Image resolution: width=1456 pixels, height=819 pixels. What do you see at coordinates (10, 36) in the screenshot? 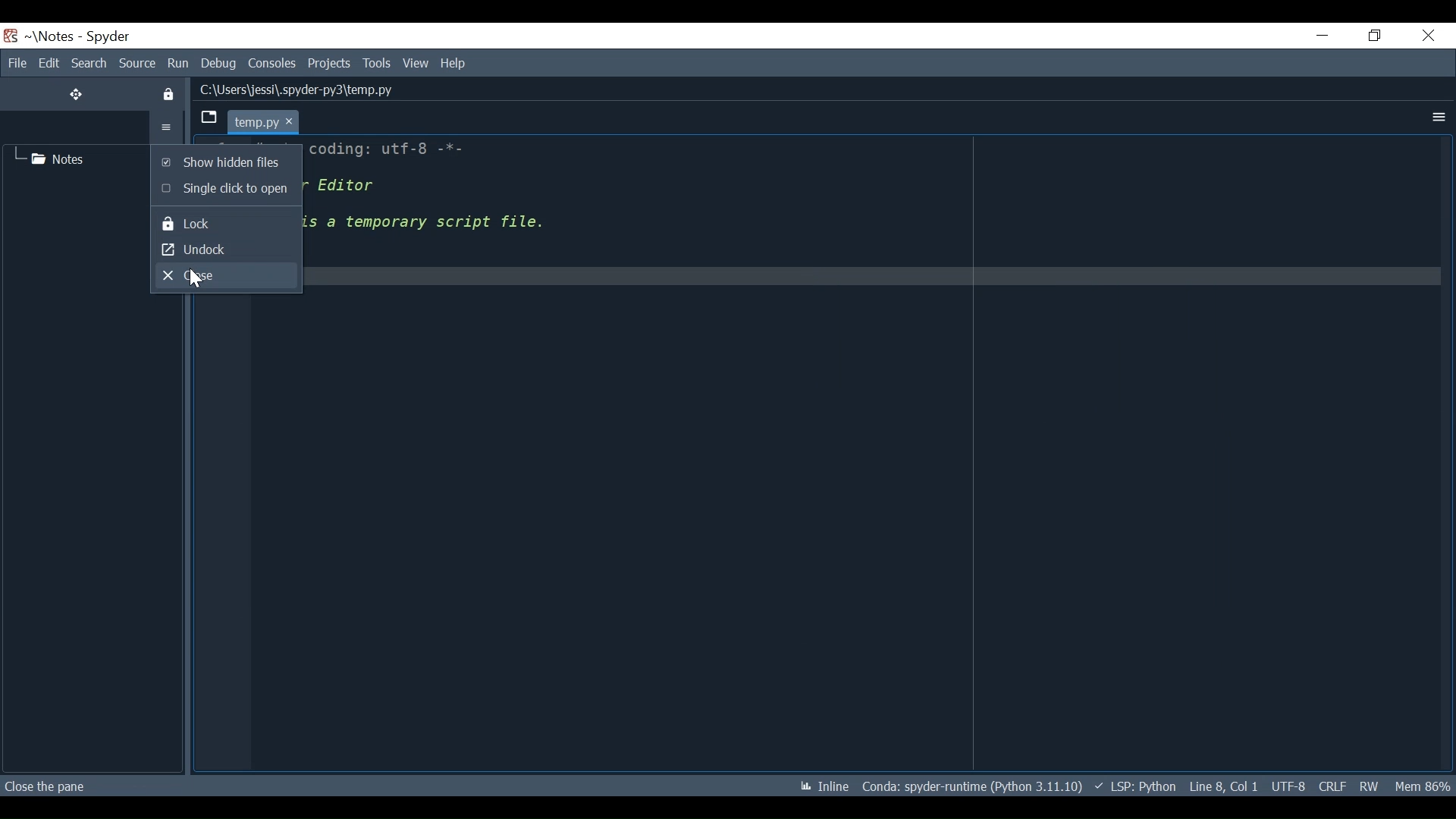
I see `Spyder Desktop Icon` at bounding box center [10, 36].